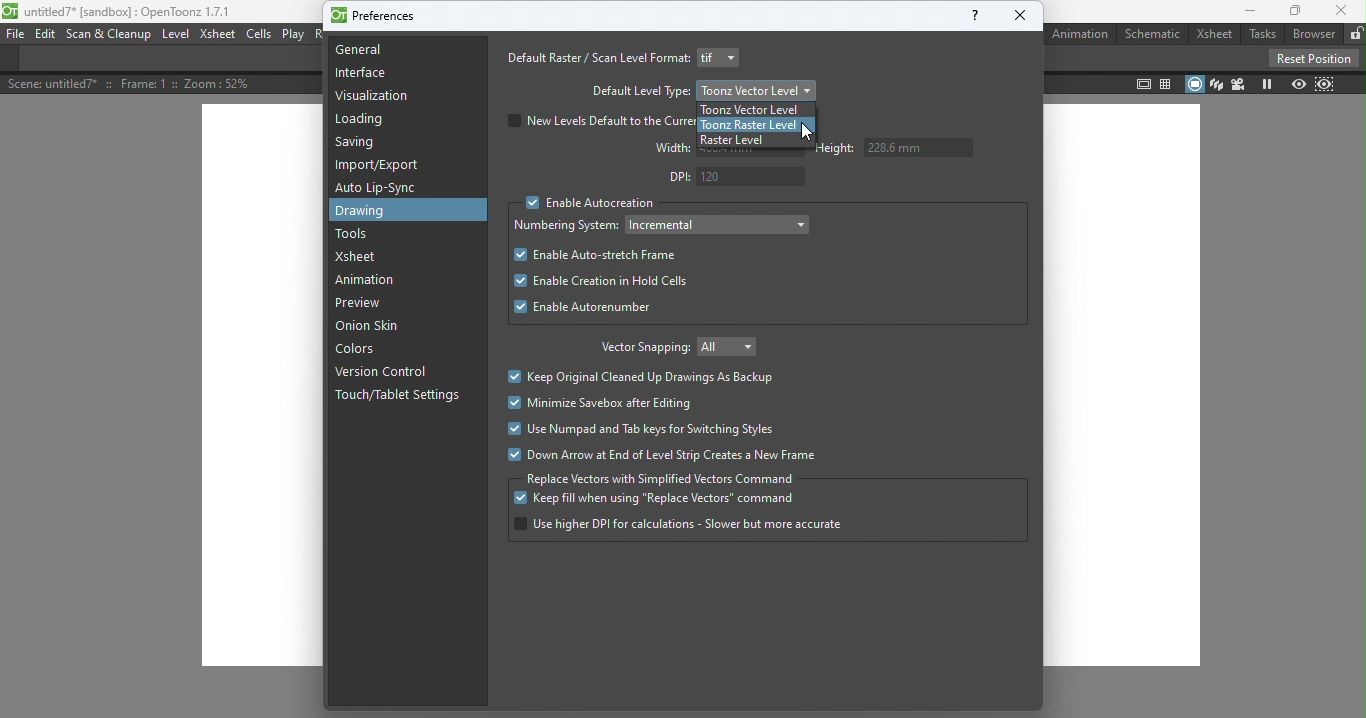 This screenshot has width=1366, height=718. I want to click on Default raster/scan level format, so click(594, 58).